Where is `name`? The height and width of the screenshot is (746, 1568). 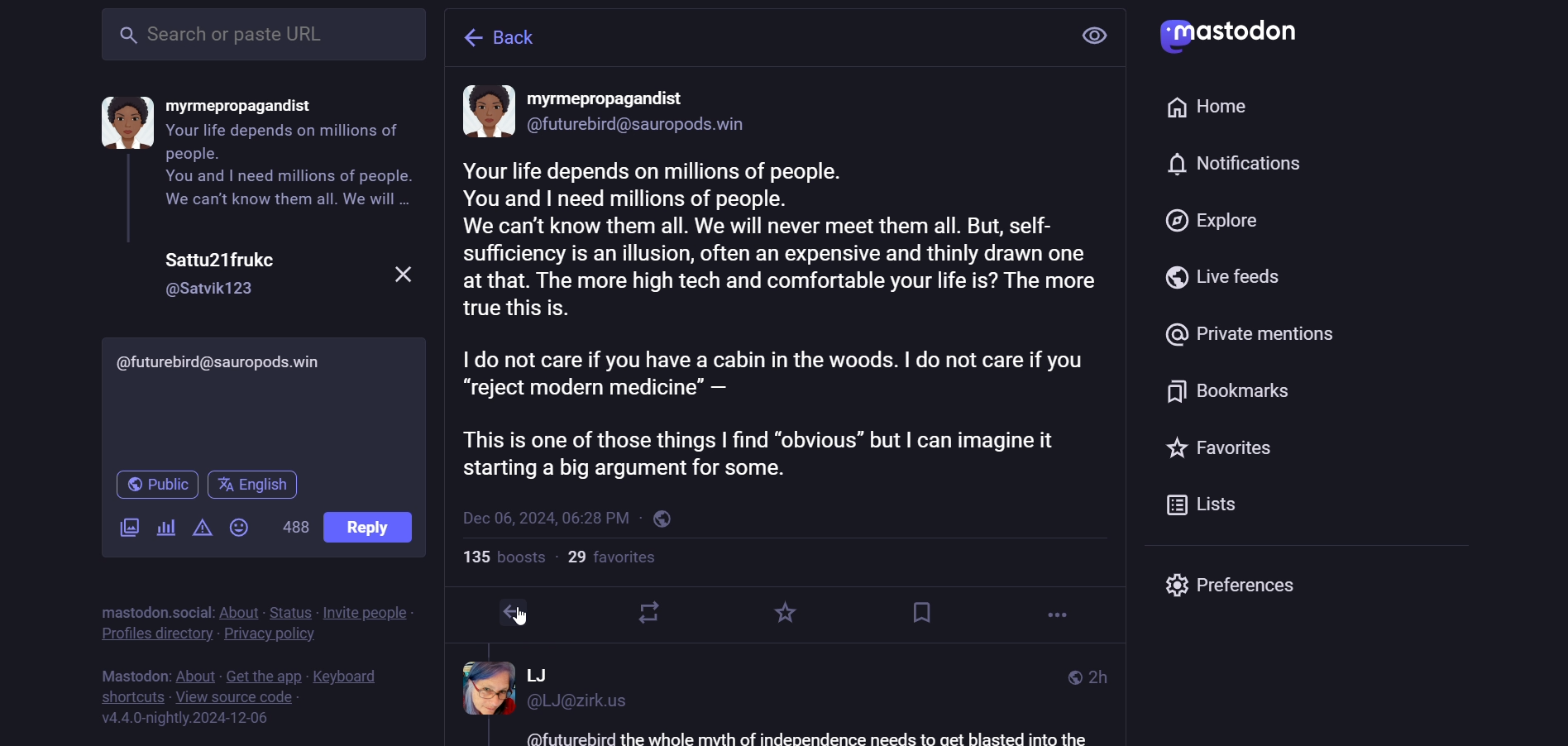 name is located at coordinates (223, 257).